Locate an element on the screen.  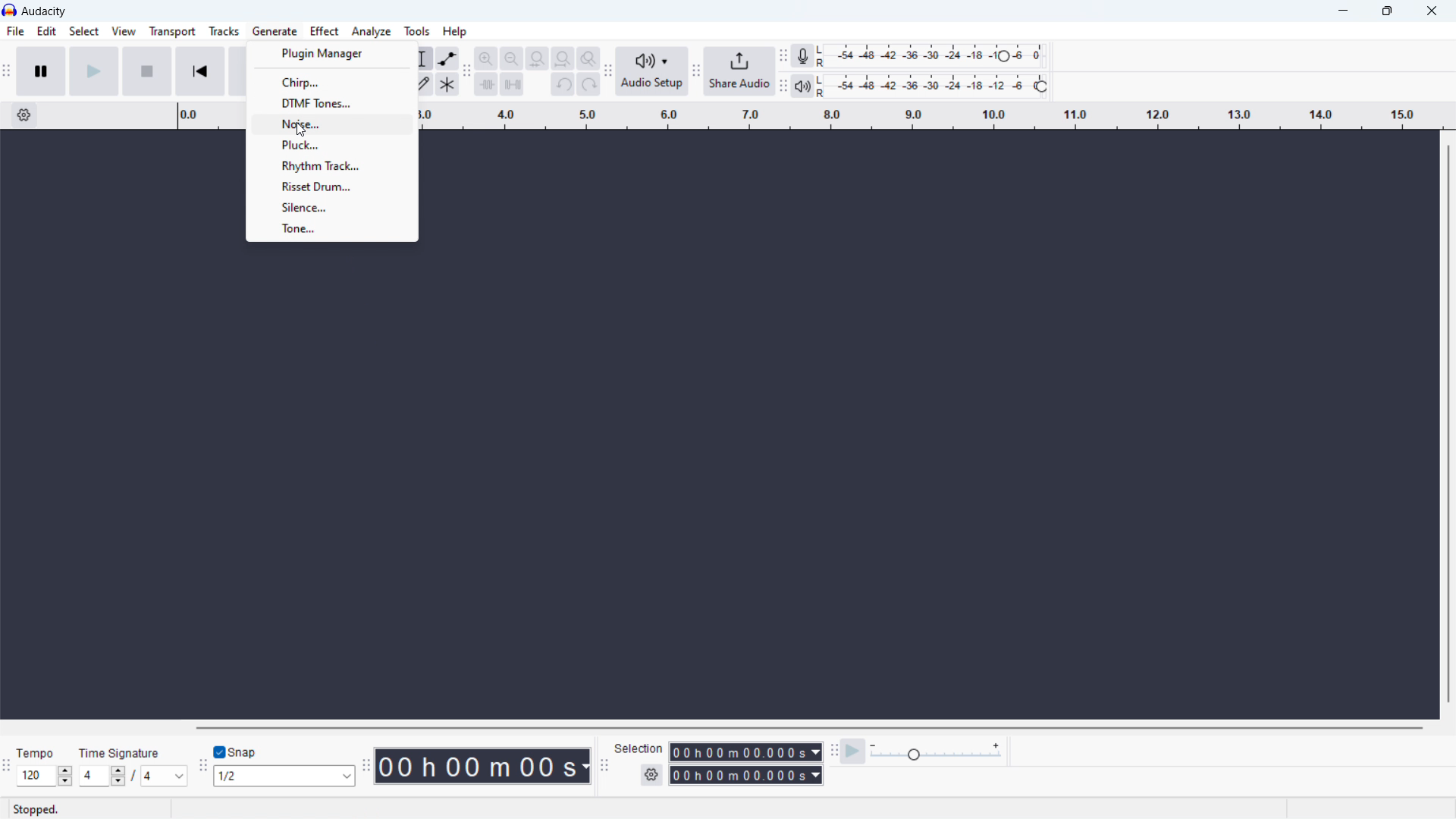
pause is located at coordinates (41, 71).